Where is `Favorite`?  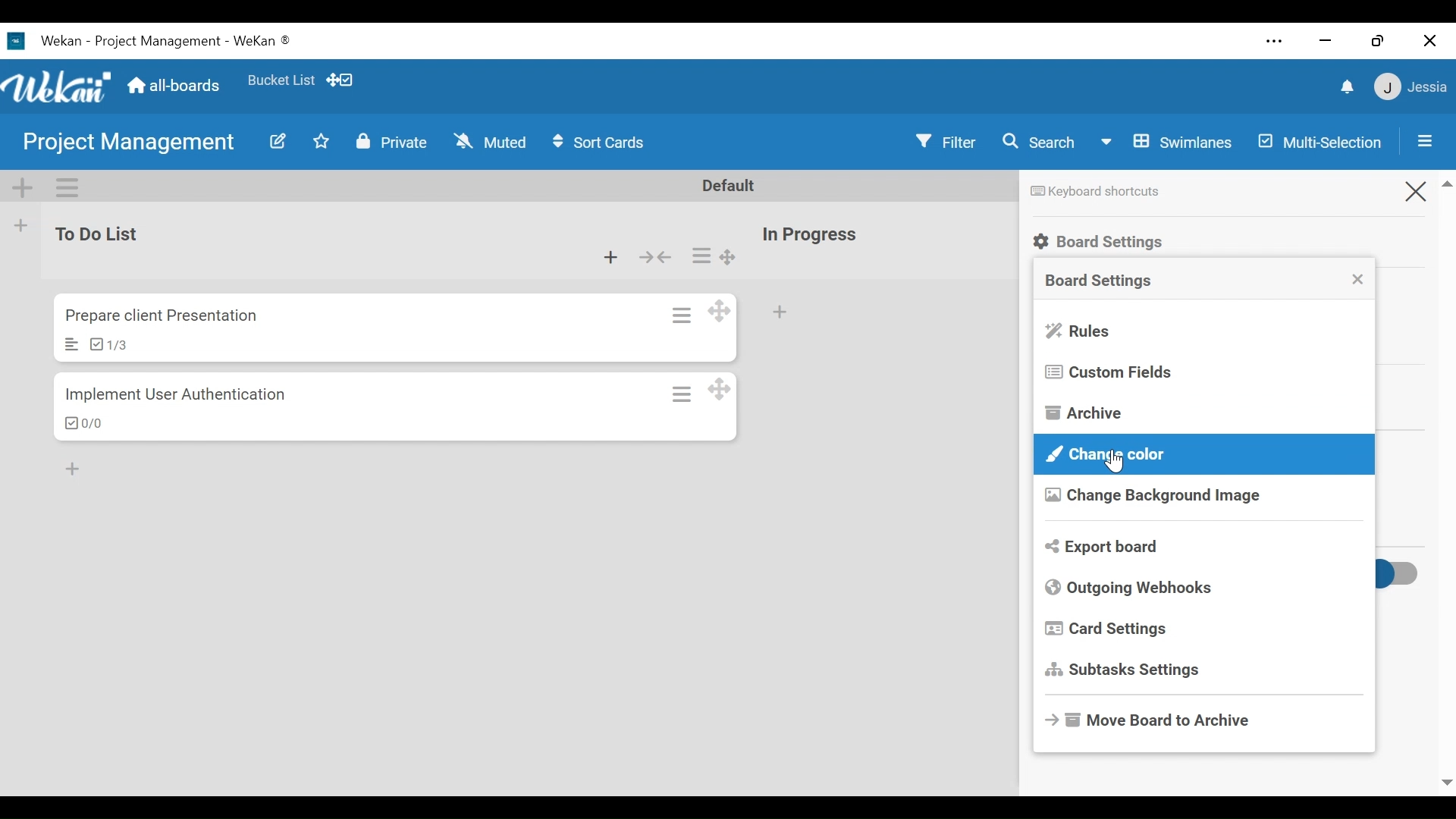
Favorite is located at coordinates (281, 81).